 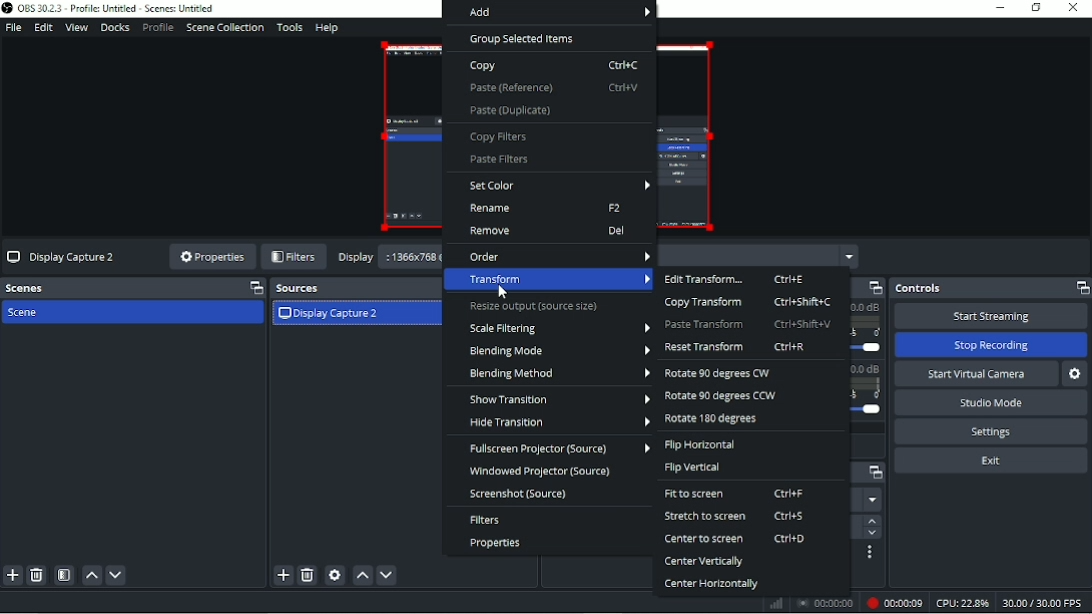 What do you see at coordinates (64, 258) in the screenshot?
I see `Display Capture 2` at bounding box center [64, 258].